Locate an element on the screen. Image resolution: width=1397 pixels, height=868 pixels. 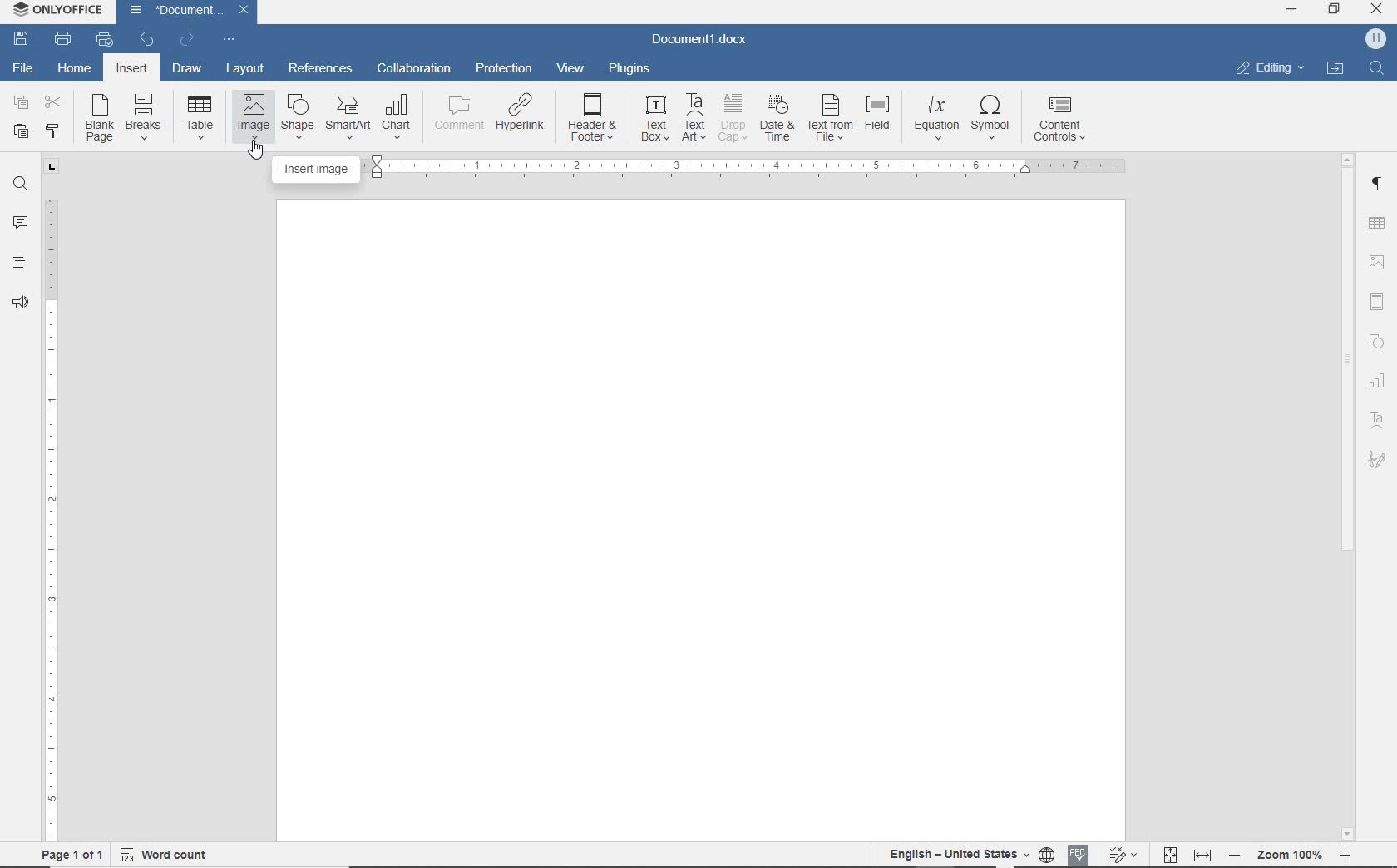
insert is located at coordinates (131, 71).